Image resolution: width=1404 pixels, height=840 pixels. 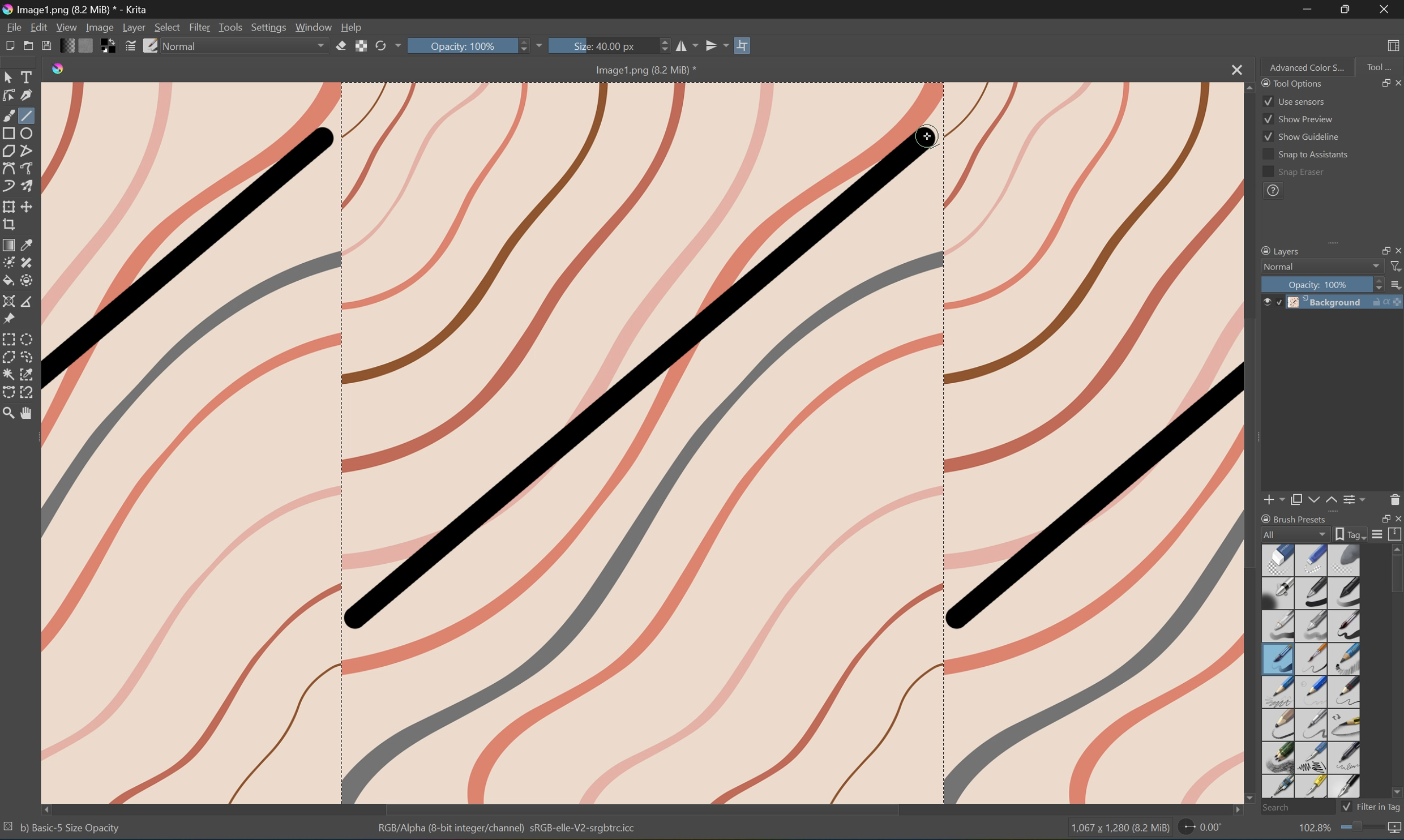 What do you see at coordinates (1298, 118) in the screenshot?
I see `Show preview` at bounding box center [1298, 118].